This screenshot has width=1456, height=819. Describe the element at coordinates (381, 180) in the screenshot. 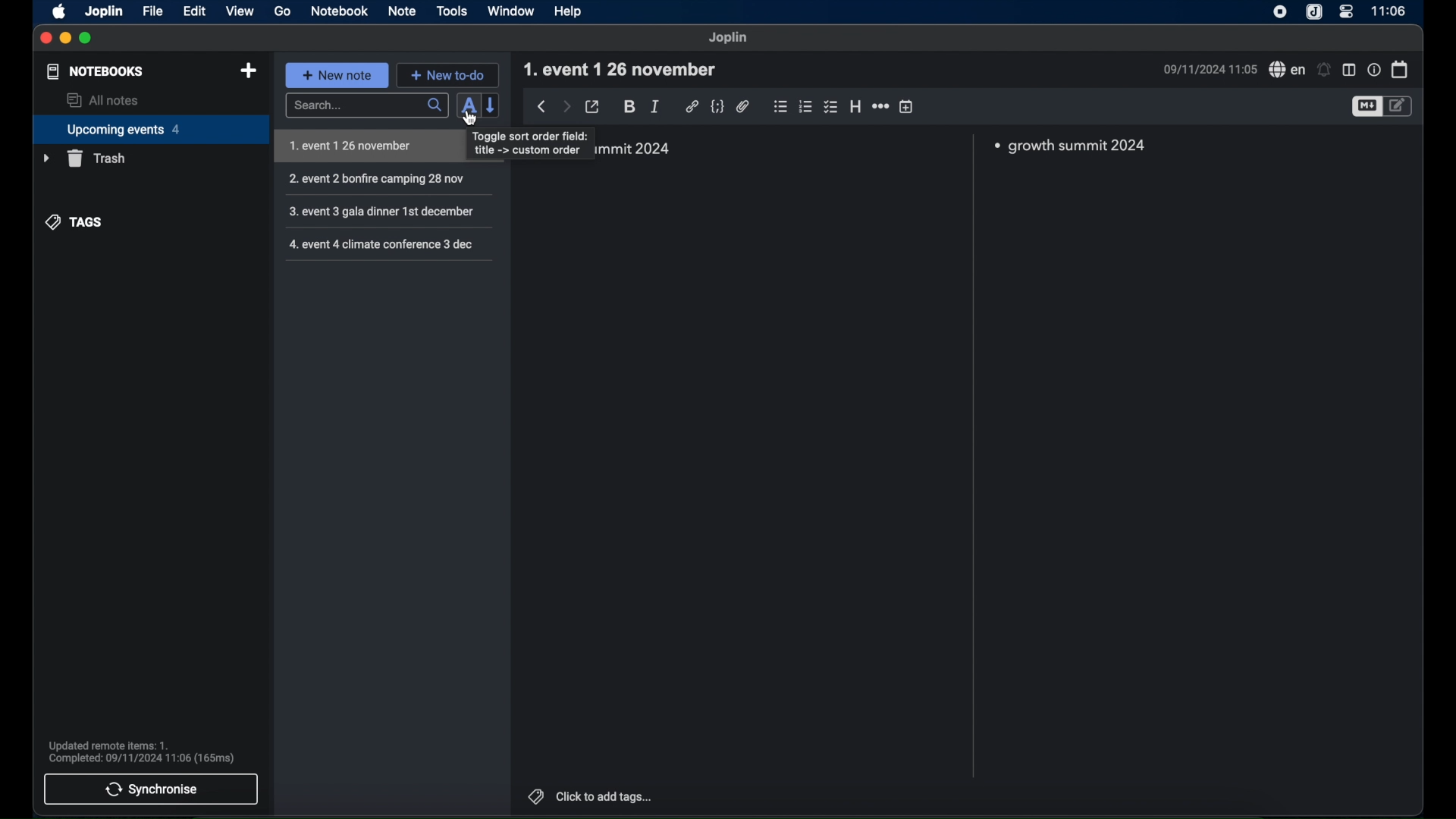

I see `2. event 2 bonfire camping 28 nov` at that location.